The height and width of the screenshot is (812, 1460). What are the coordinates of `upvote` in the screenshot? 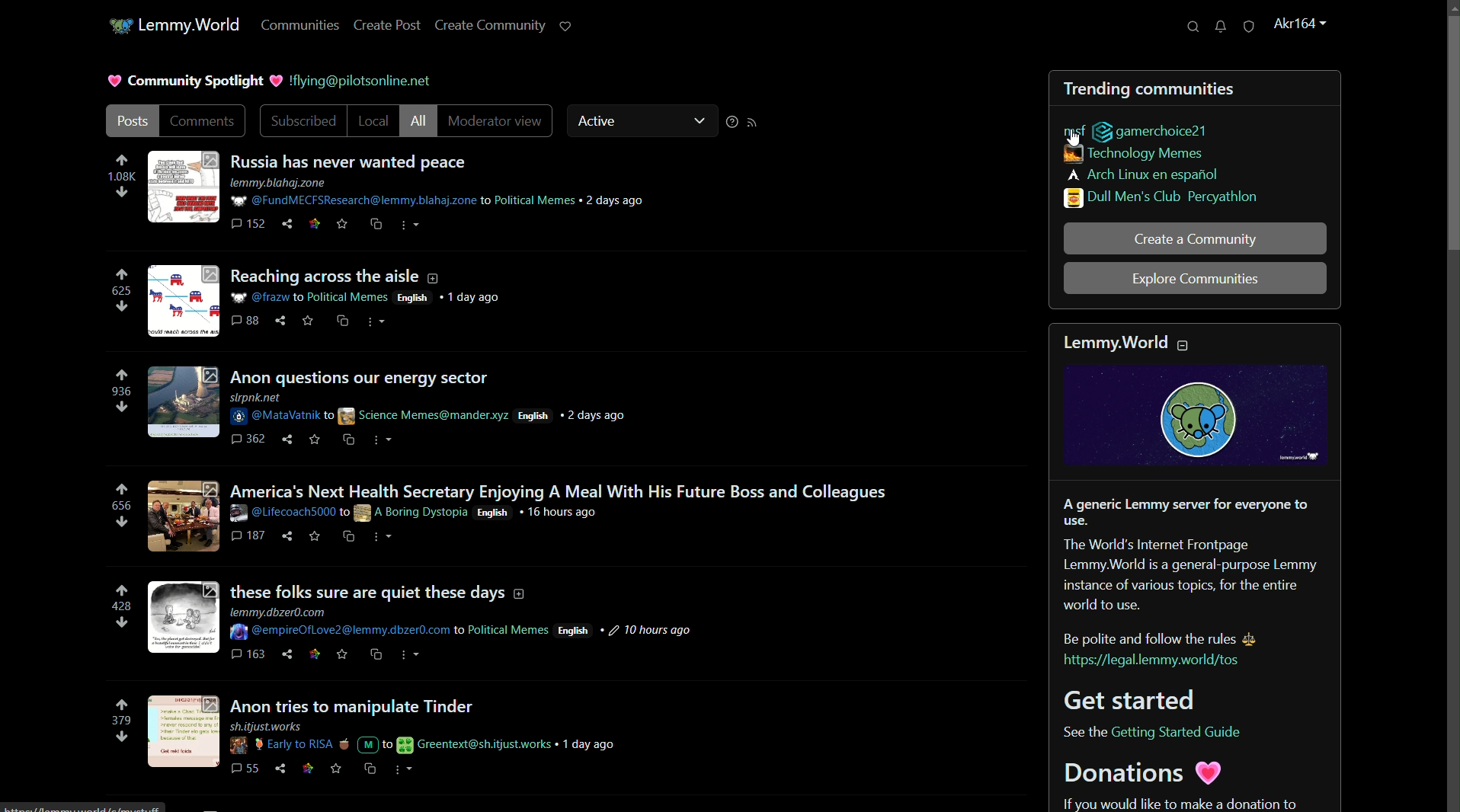 It's located at (123, 161).